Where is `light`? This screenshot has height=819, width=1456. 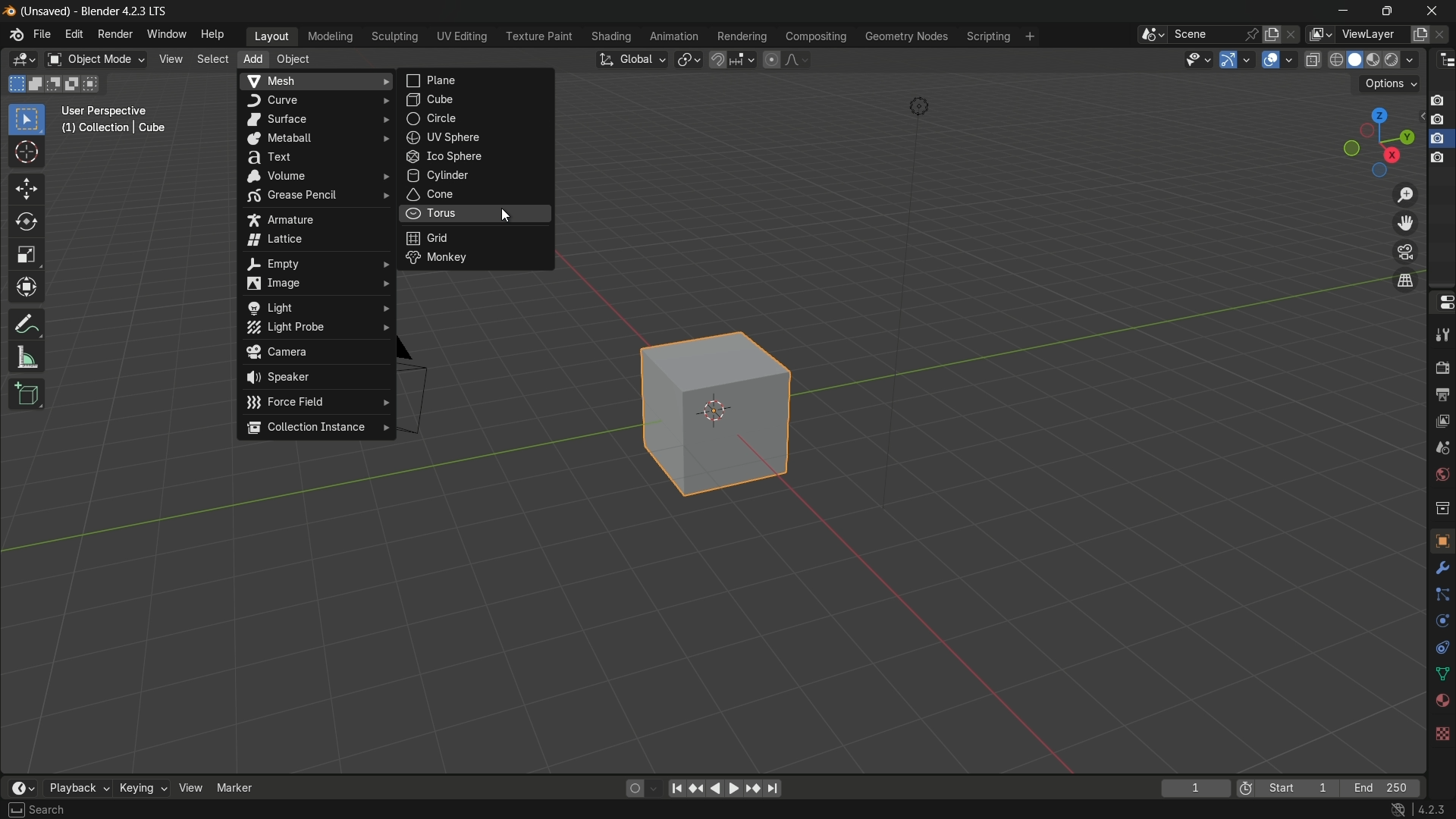
light is located at coordinates (314, 308).